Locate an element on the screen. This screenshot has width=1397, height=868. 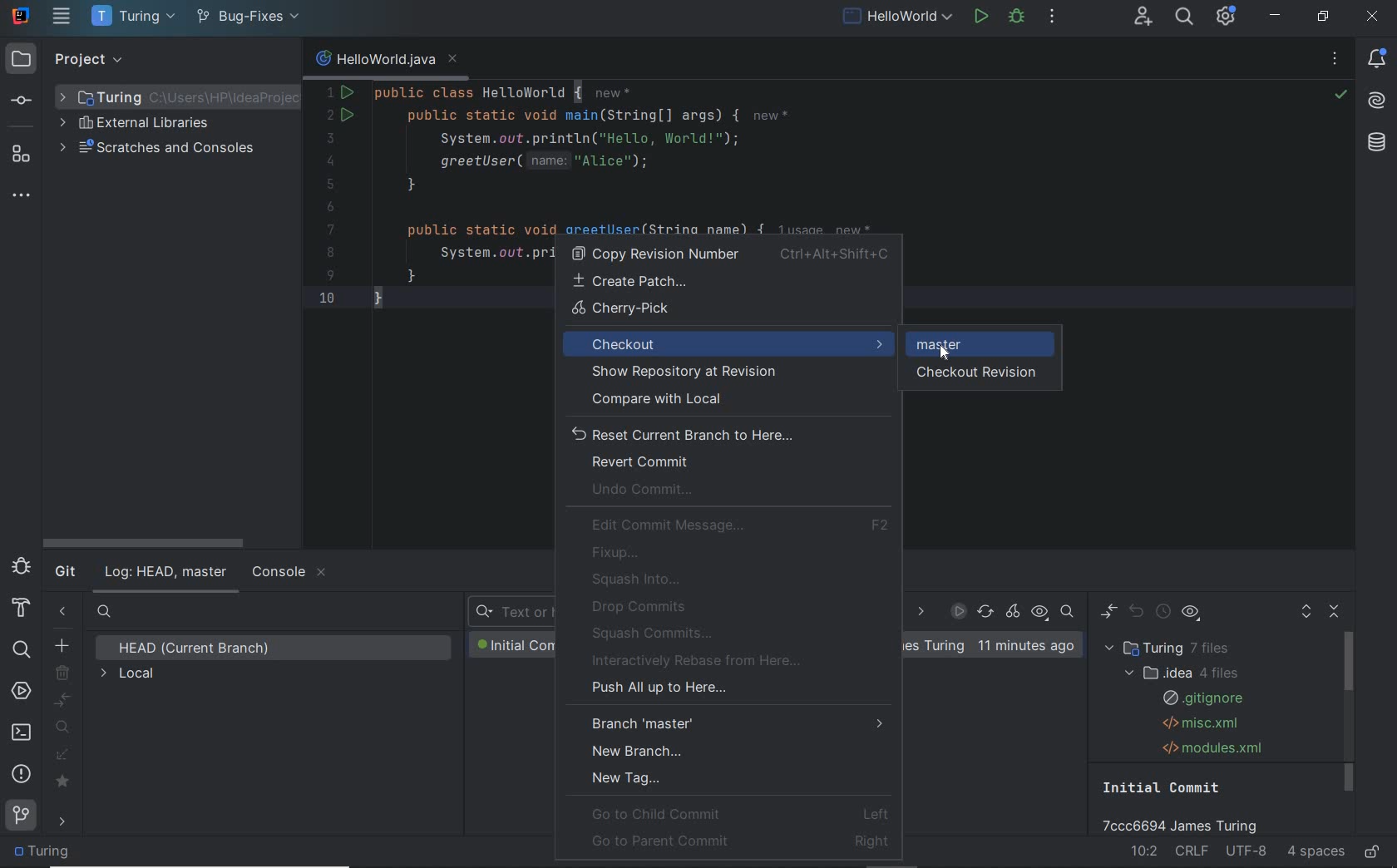
scrollbar is located at coordinates (1350, 713).